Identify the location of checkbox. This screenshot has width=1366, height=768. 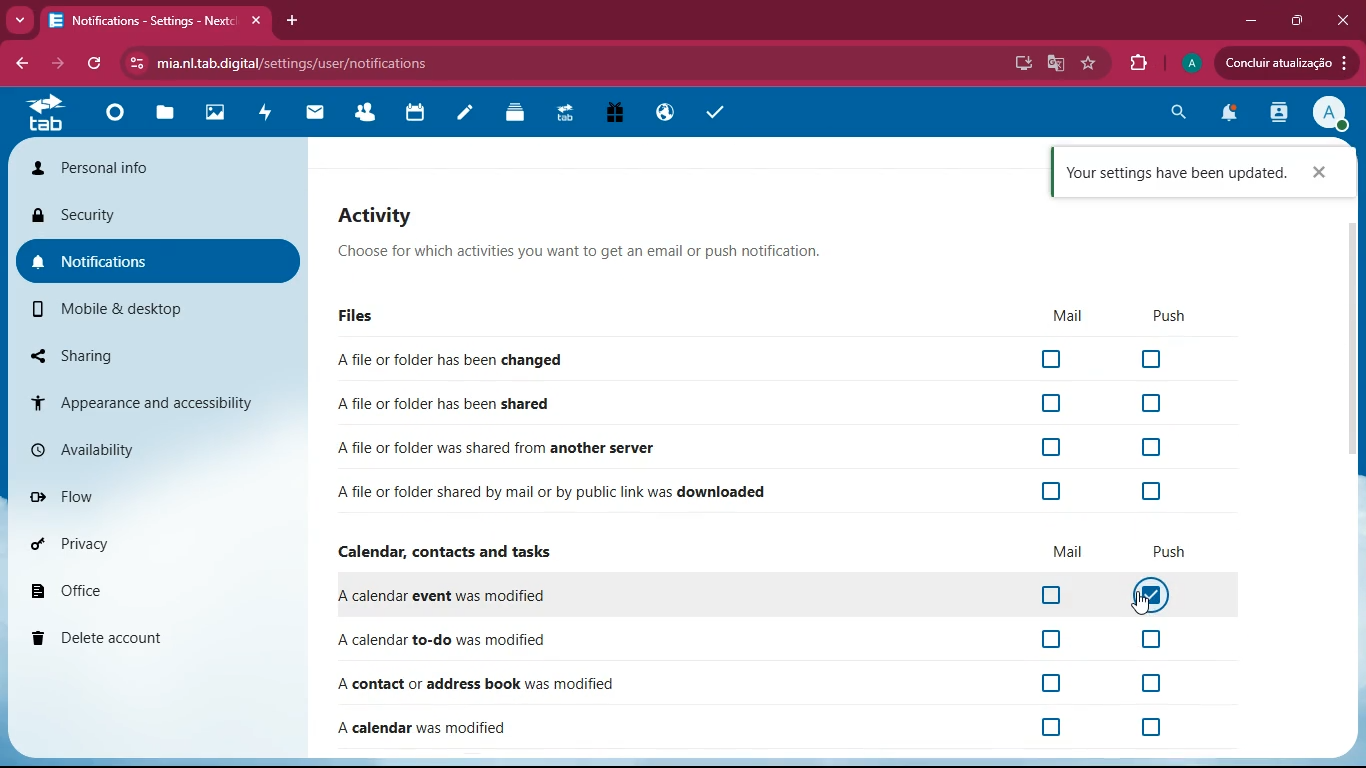
(1151, 403).